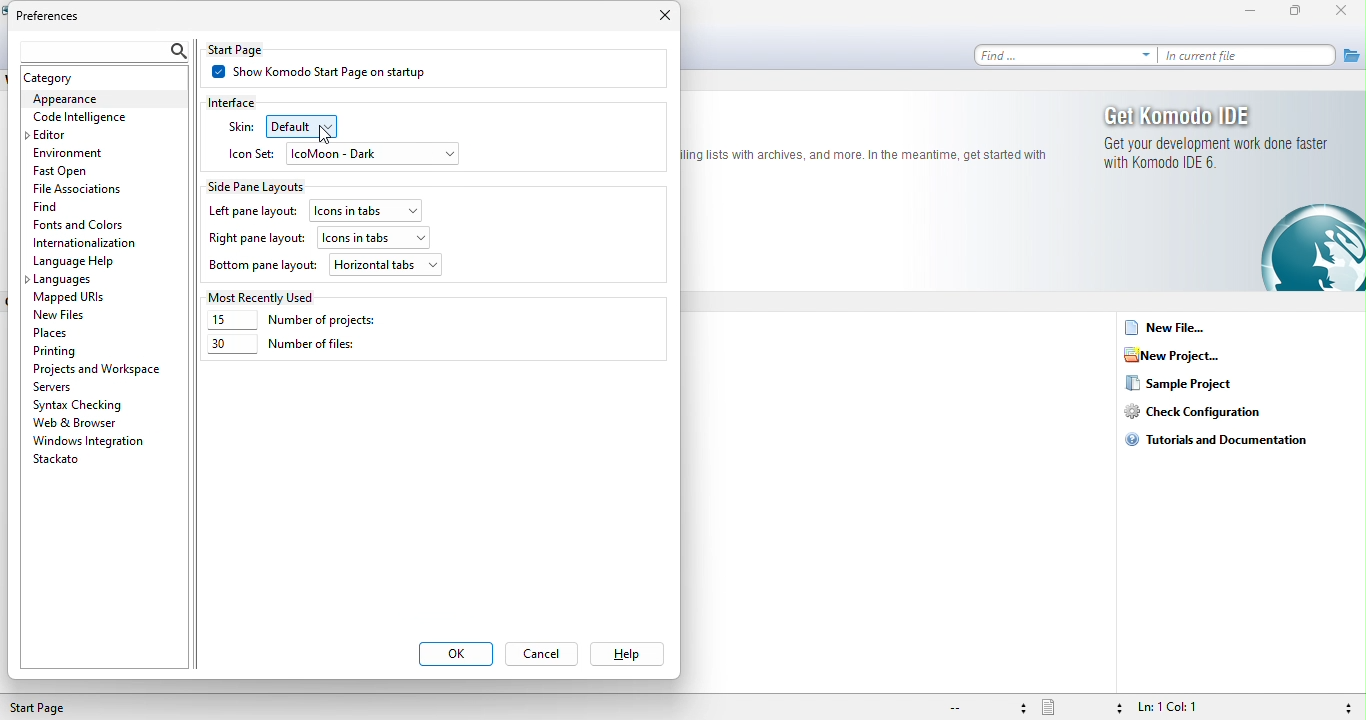 The image size is (1366, 720). I want to click on start page, so click(253, 49).